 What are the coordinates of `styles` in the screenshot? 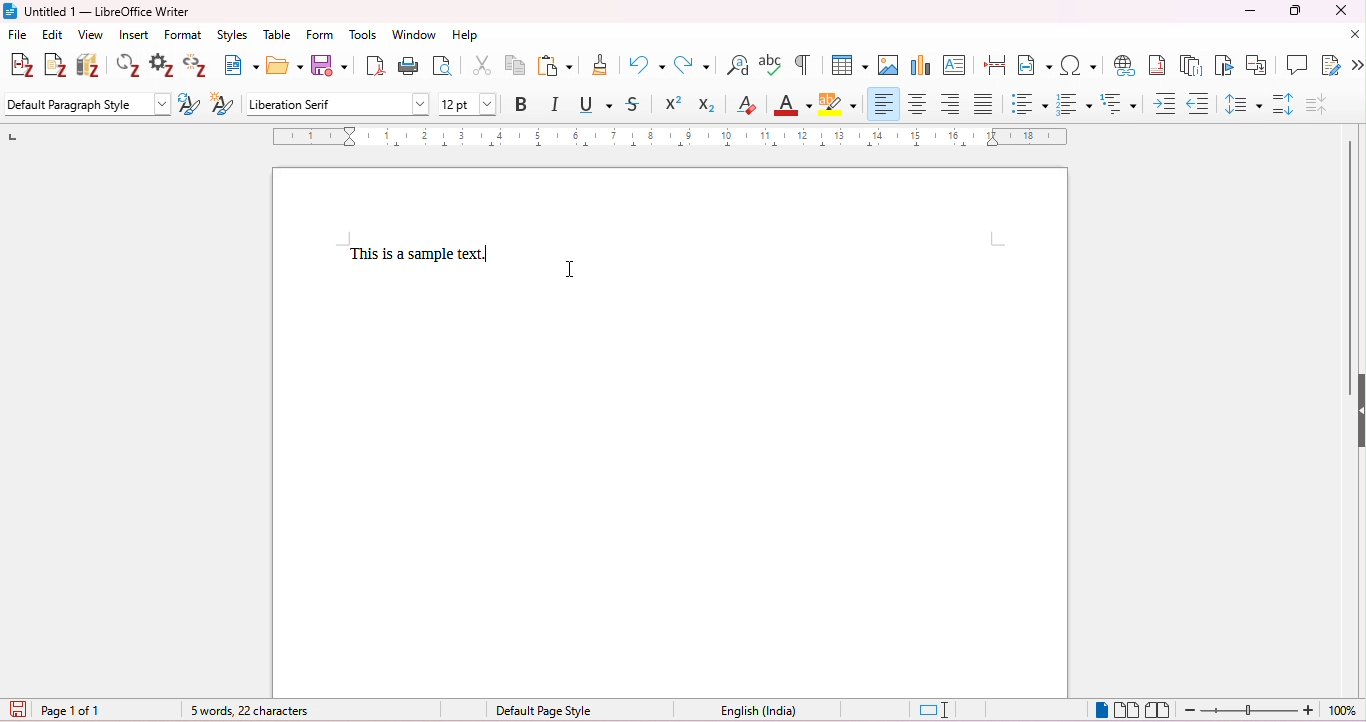 It's located at (232, 36).